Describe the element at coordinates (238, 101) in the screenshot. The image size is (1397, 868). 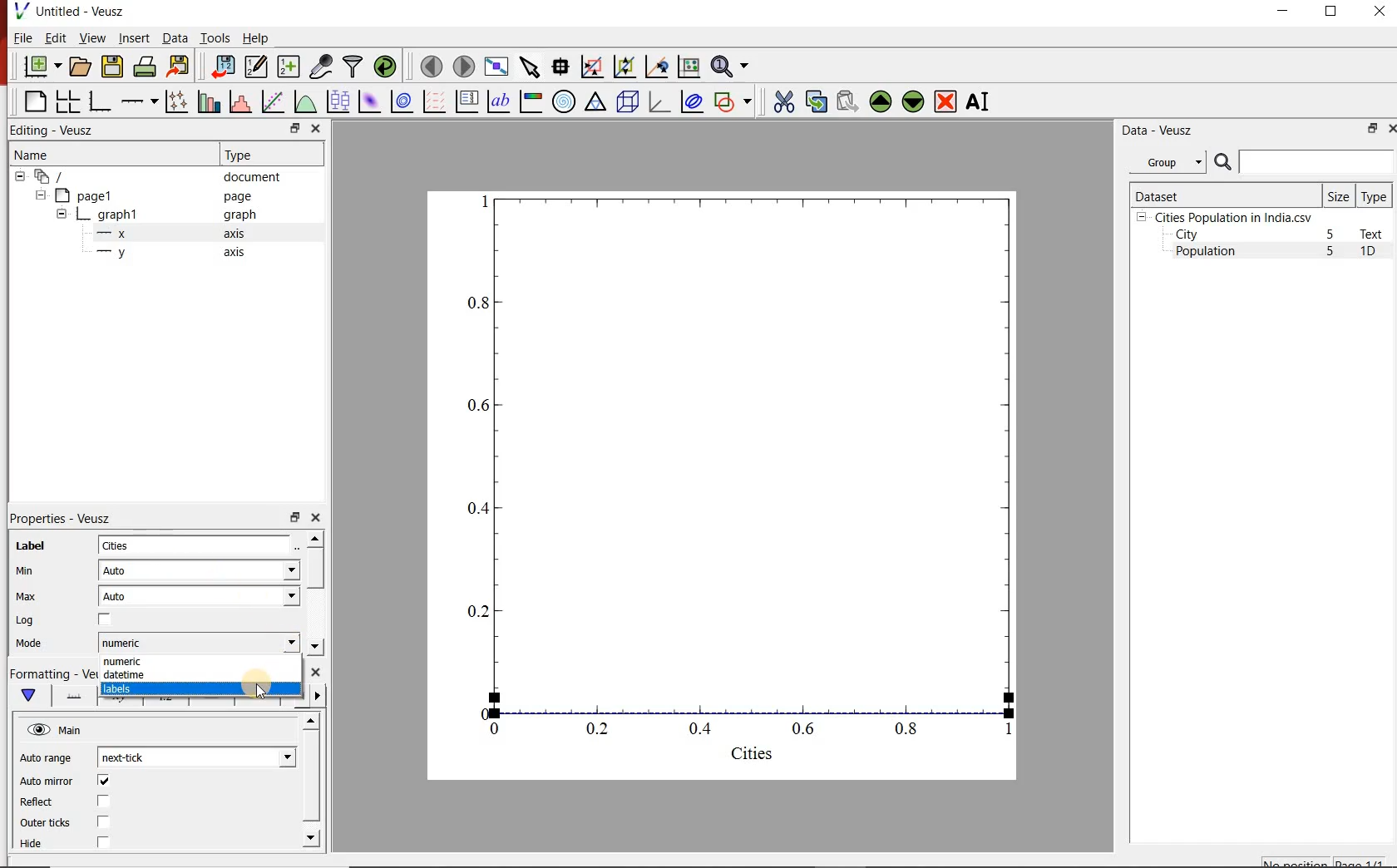
I see `histogram of a dataset` at that location.